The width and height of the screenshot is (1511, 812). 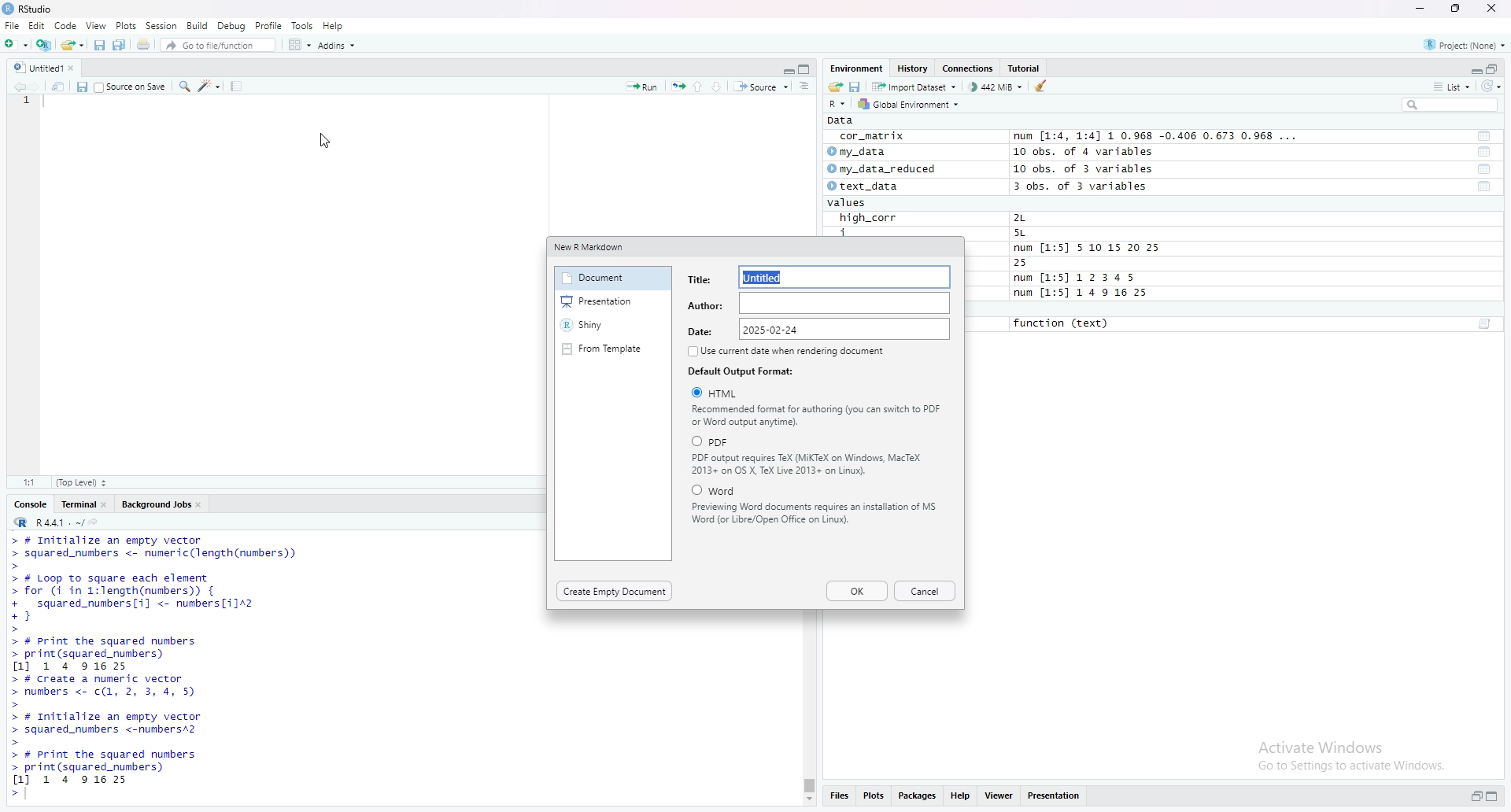 I want to click on num [1:5] 1 4 9 16 25, so click(x=1081, y=293).